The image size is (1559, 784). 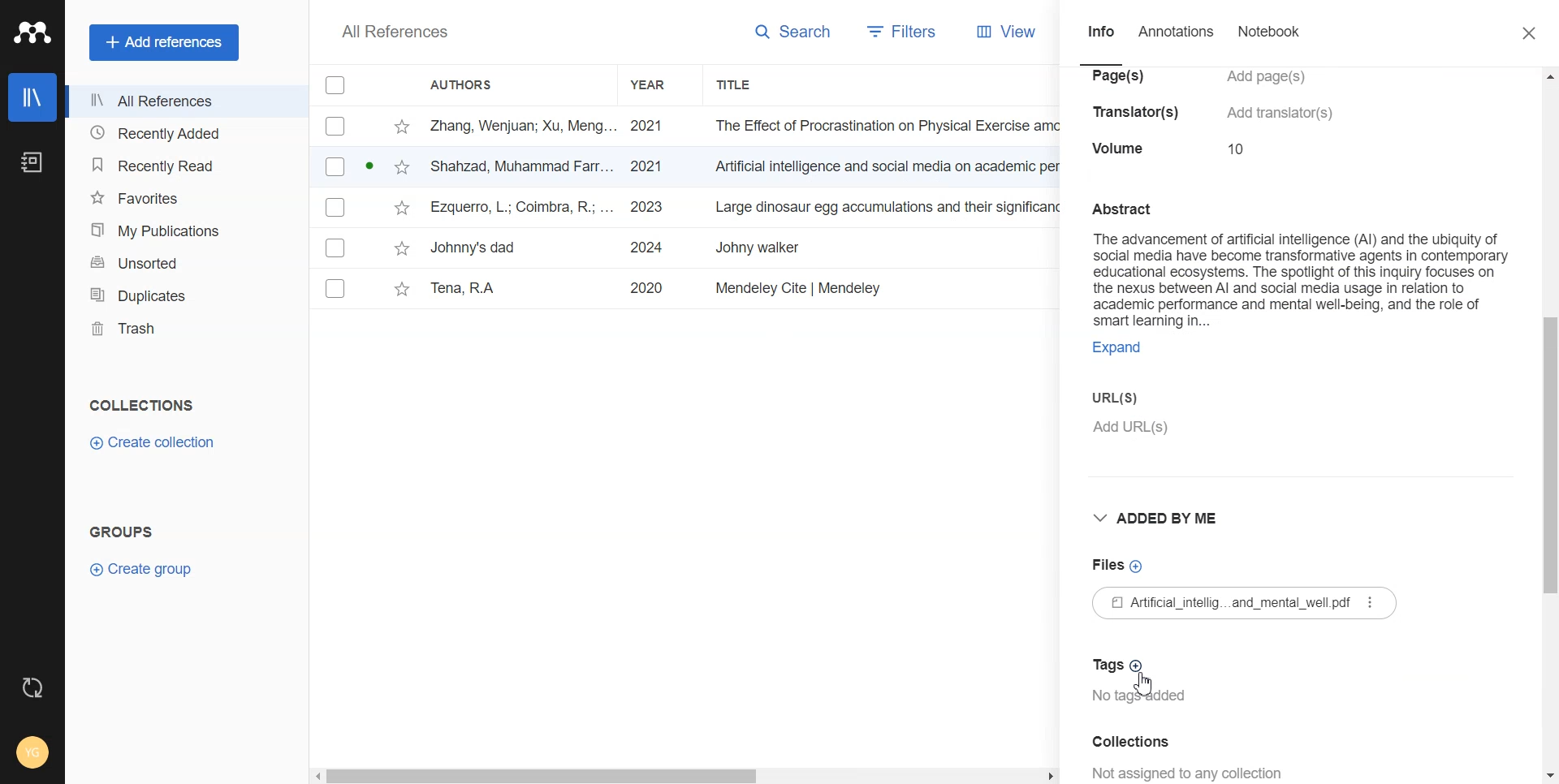 What do you see at coordinates (184, 261) in the screenshot?
I see `Unsorted` at bounding box center [184, 261].